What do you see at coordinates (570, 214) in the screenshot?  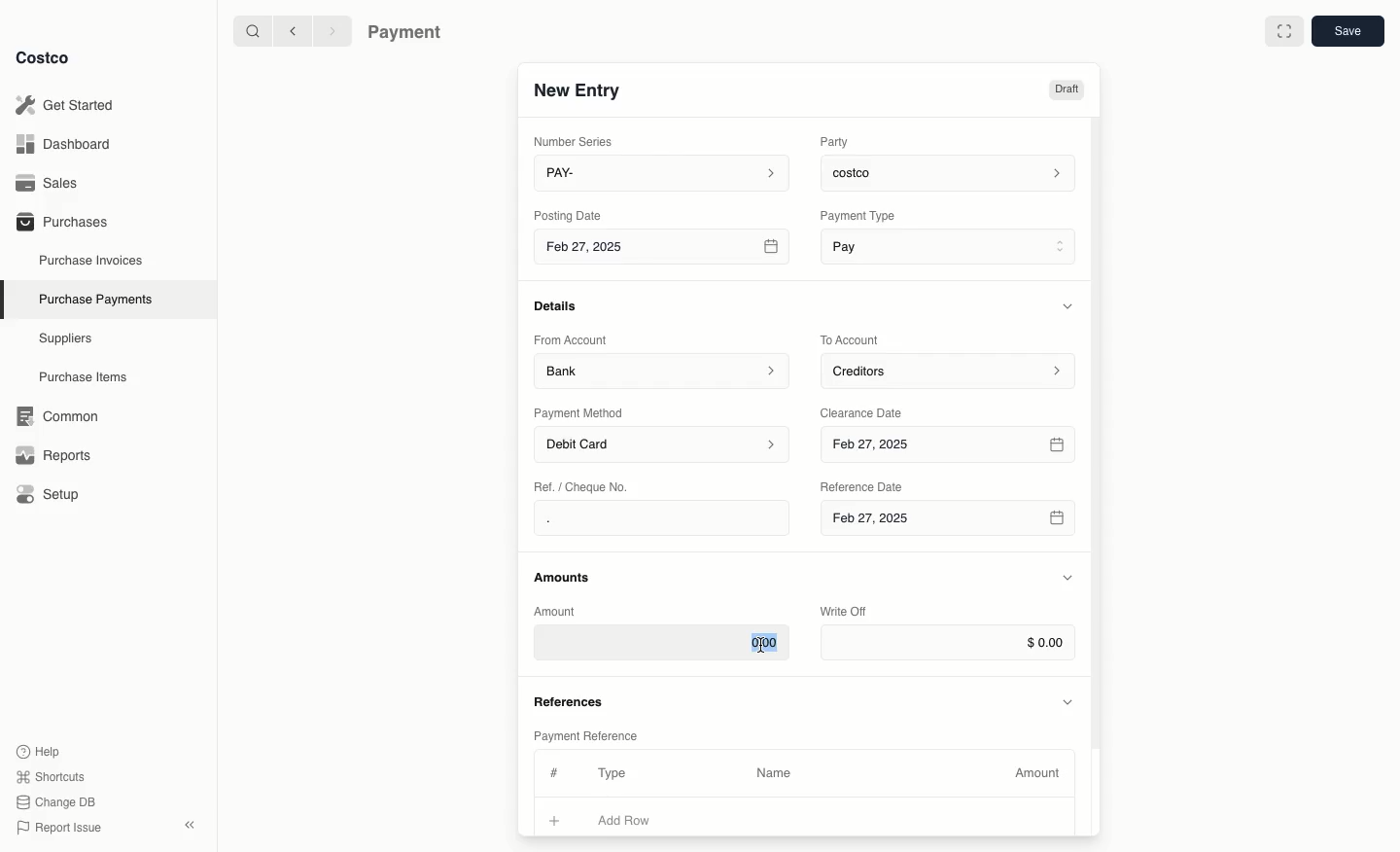 I see `Posting Date` at bounding box center [570, 214].